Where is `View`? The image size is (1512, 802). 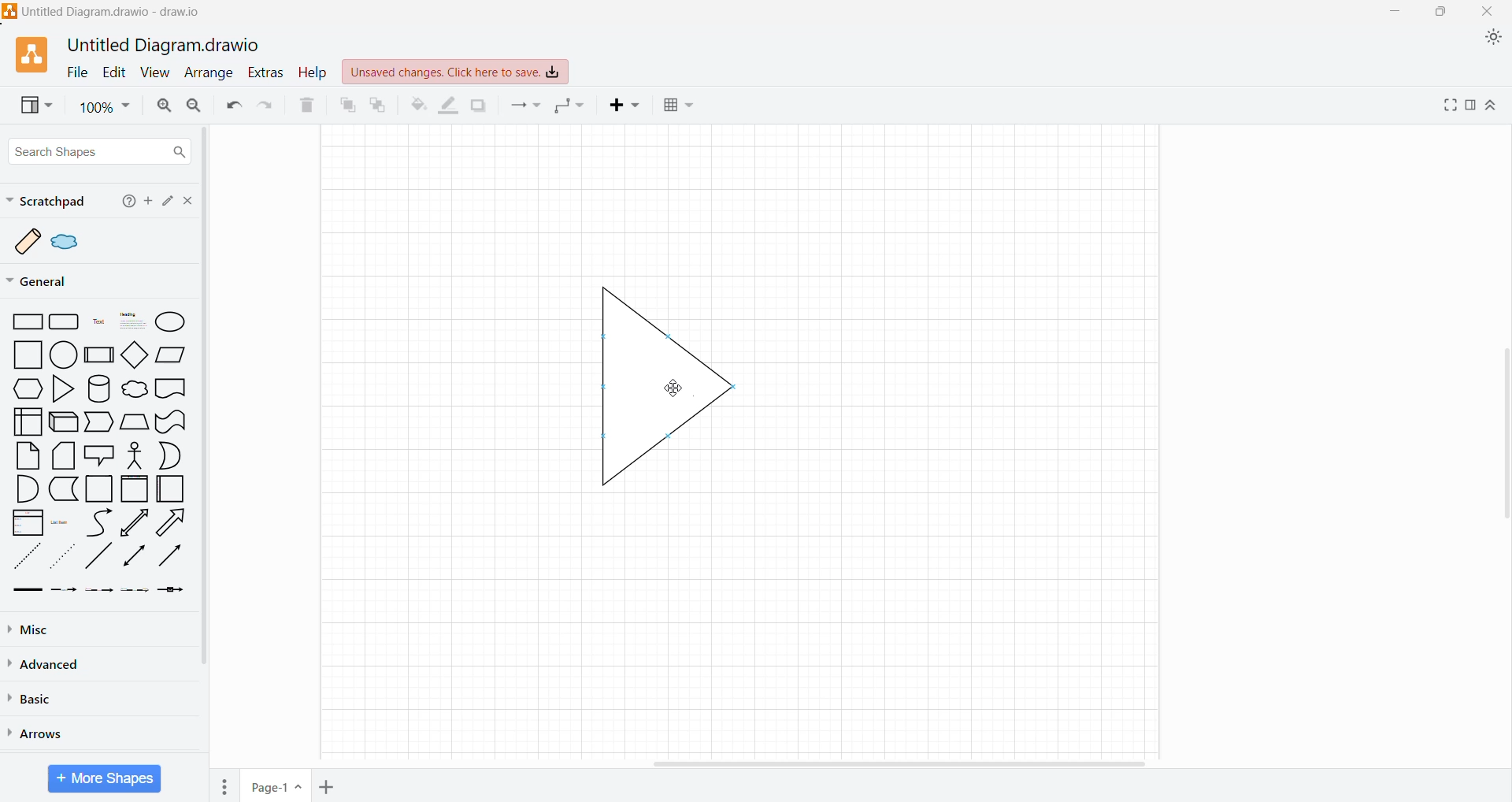
View is located at coordinates (156, 72).